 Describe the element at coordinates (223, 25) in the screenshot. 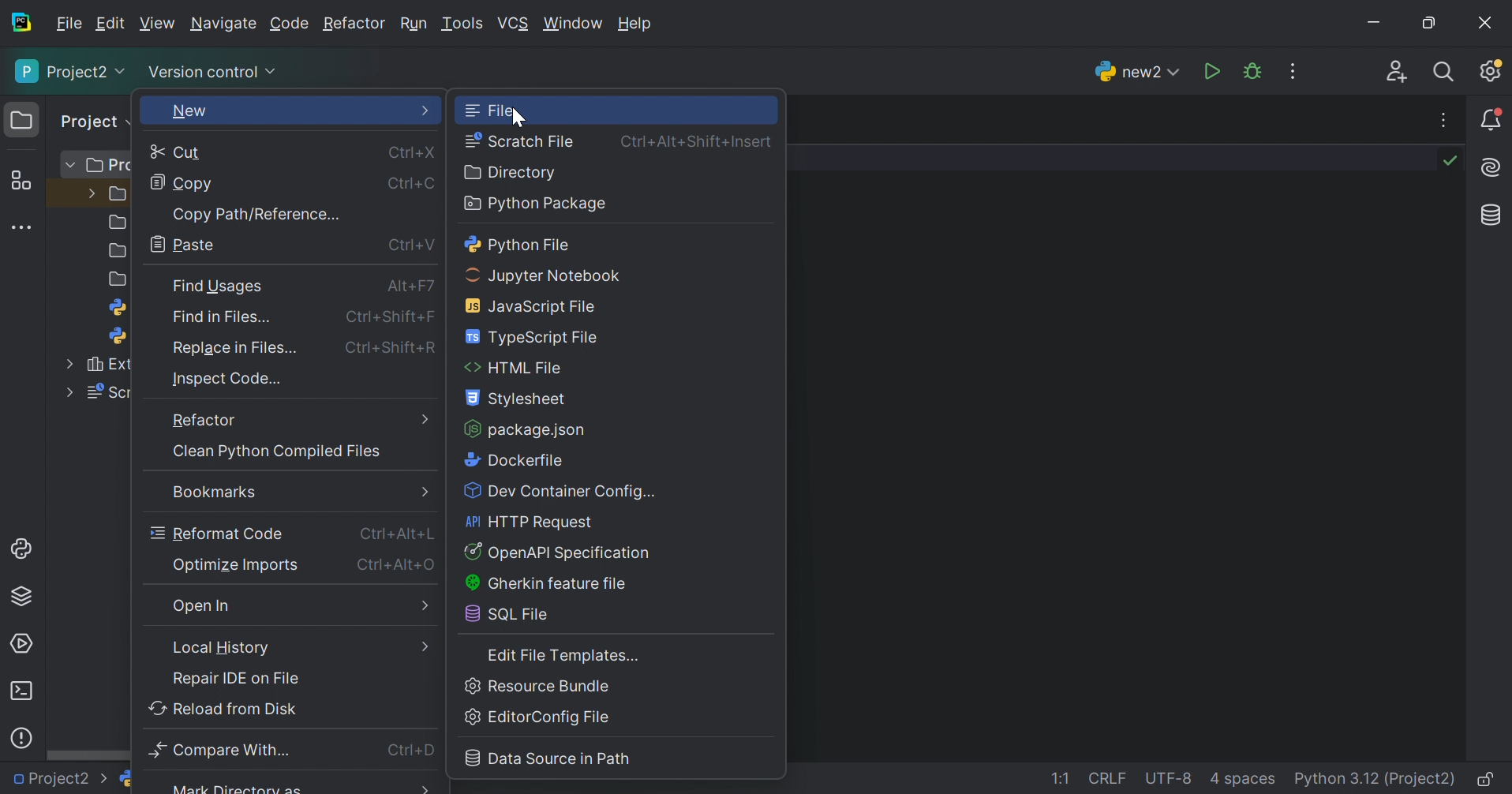

I see `Navigate` at that location.